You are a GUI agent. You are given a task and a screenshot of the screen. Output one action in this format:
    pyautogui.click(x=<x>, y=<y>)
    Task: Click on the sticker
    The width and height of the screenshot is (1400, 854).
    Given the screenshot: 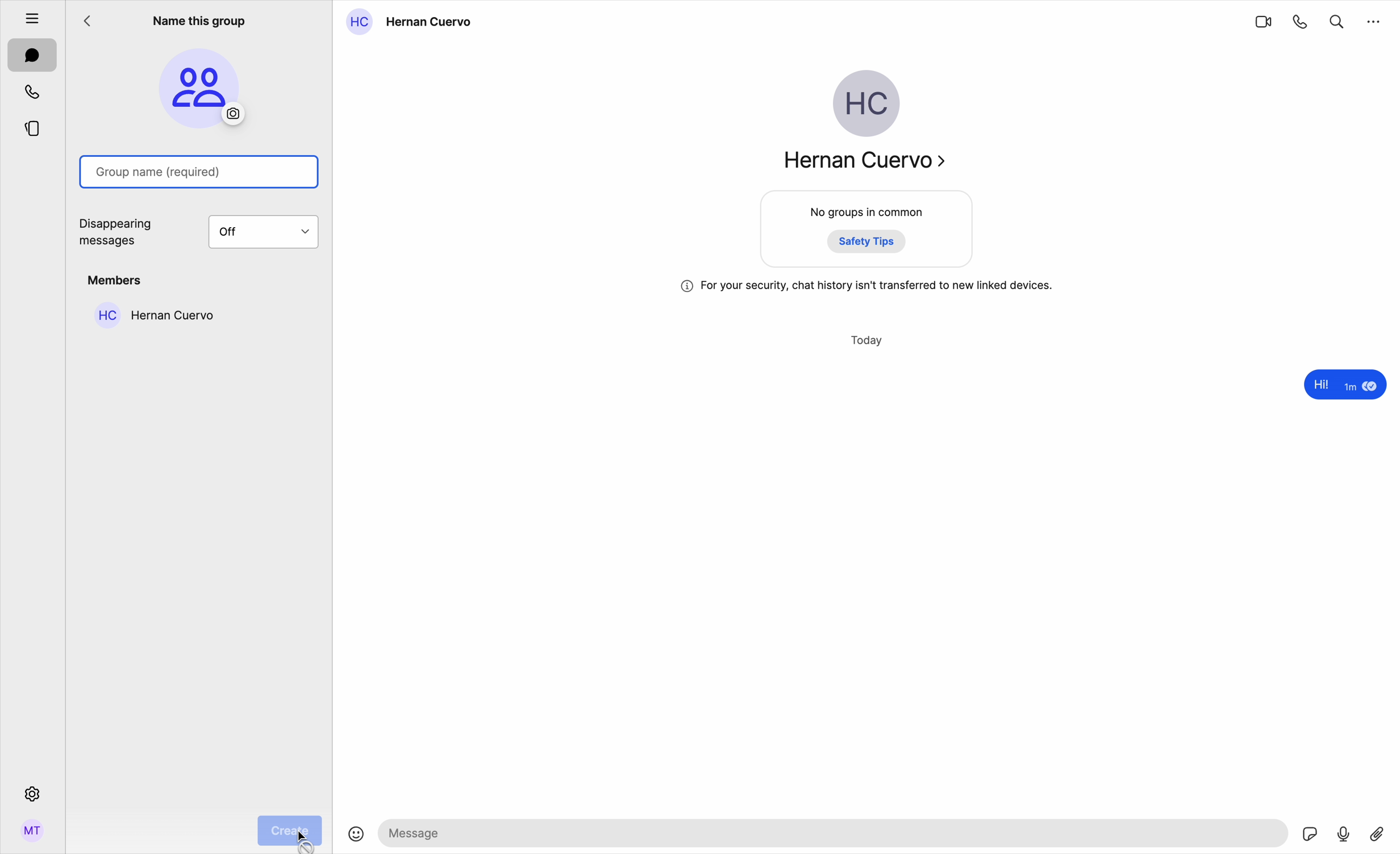 What is the action you would take?
    pyautogui.click(x=1311, y=835)
    